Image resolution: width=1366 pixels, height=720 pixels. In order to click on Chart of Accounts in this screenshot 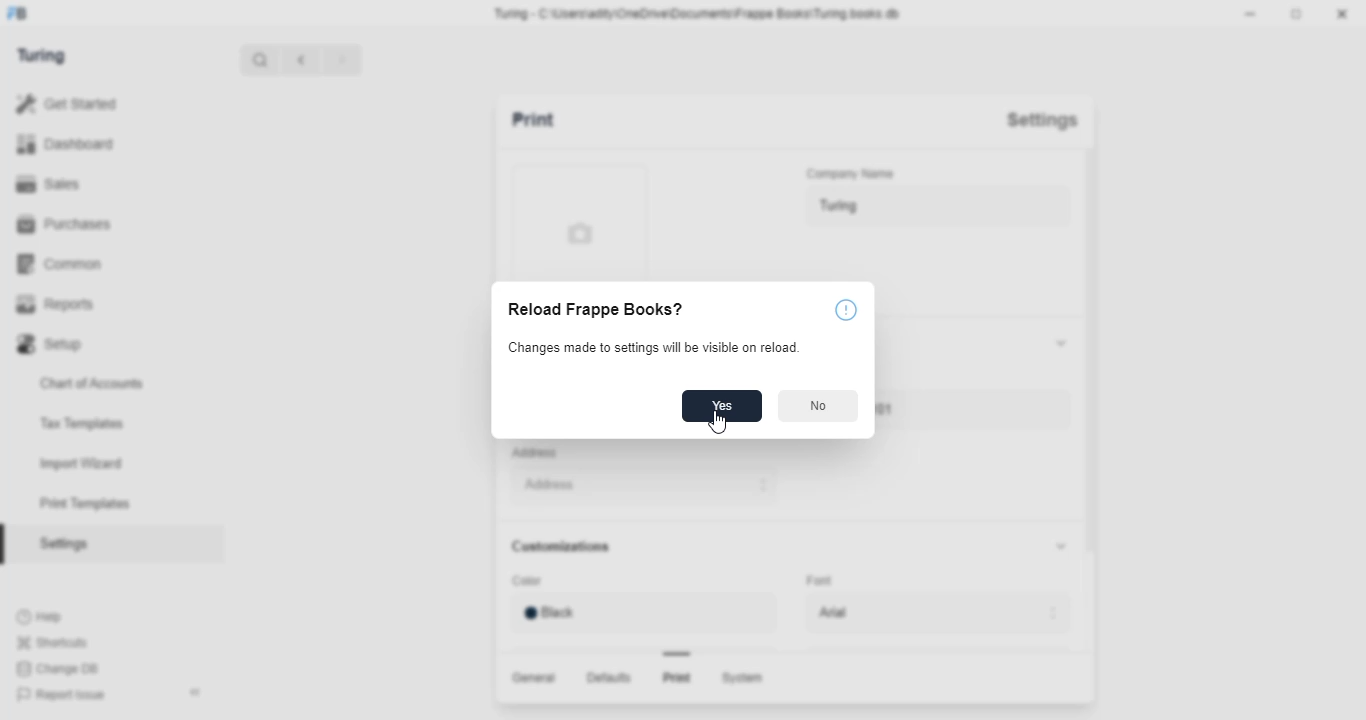, I will do `click(100, 382)`.